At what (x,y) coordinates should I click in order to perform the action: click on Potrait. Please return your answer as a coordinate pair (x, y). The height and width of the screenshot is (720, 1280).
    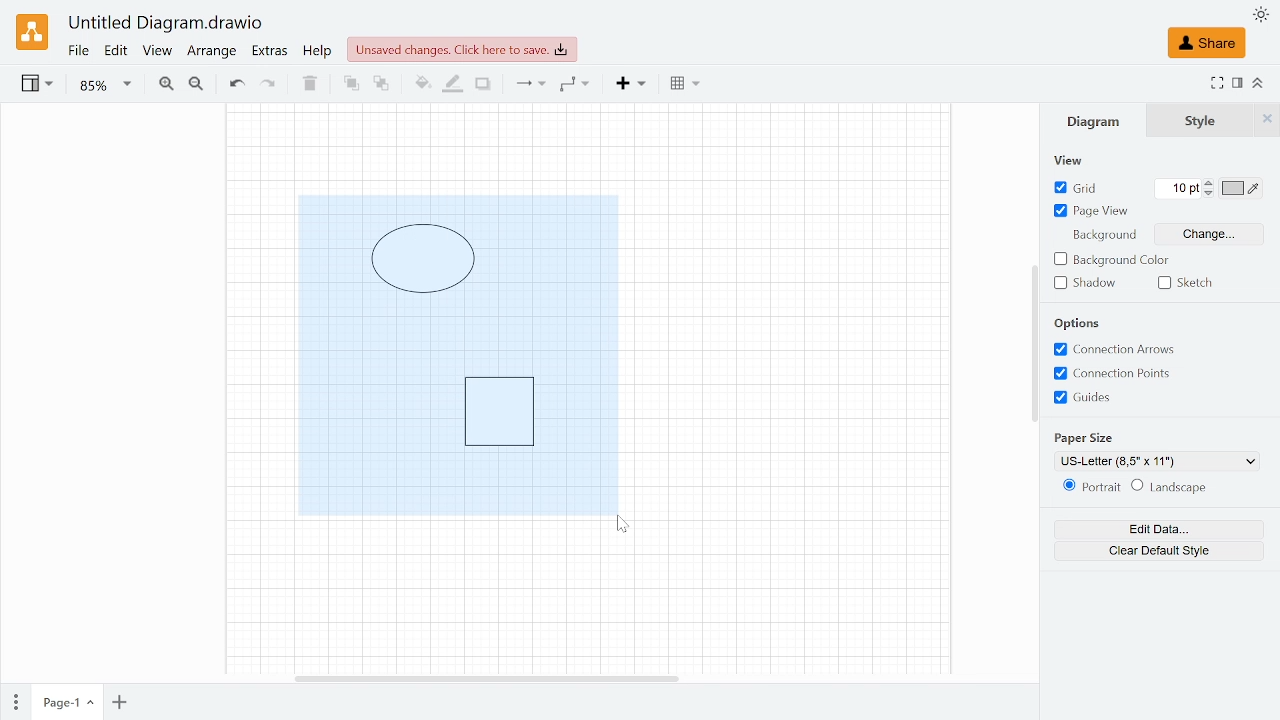
    Looking at the image, I should click on (1088, 488).